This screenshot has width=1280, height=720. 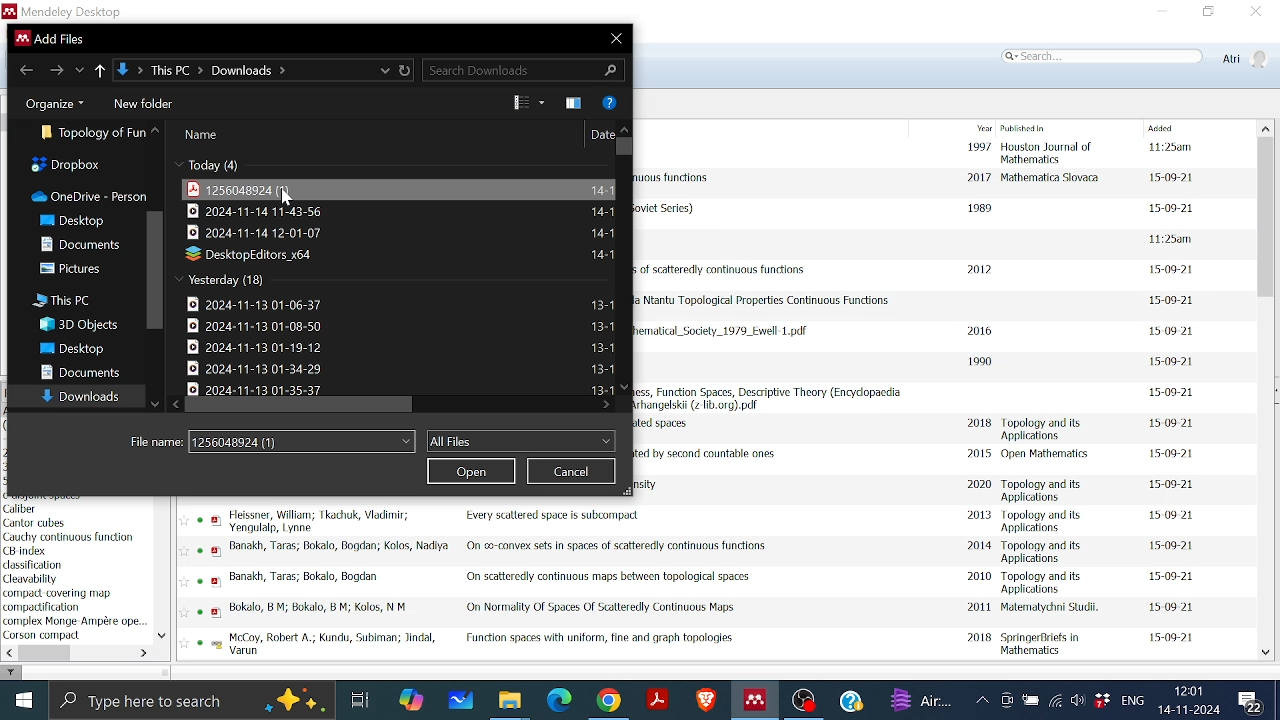 I want to click on All folders, so click(x=158, y=128).